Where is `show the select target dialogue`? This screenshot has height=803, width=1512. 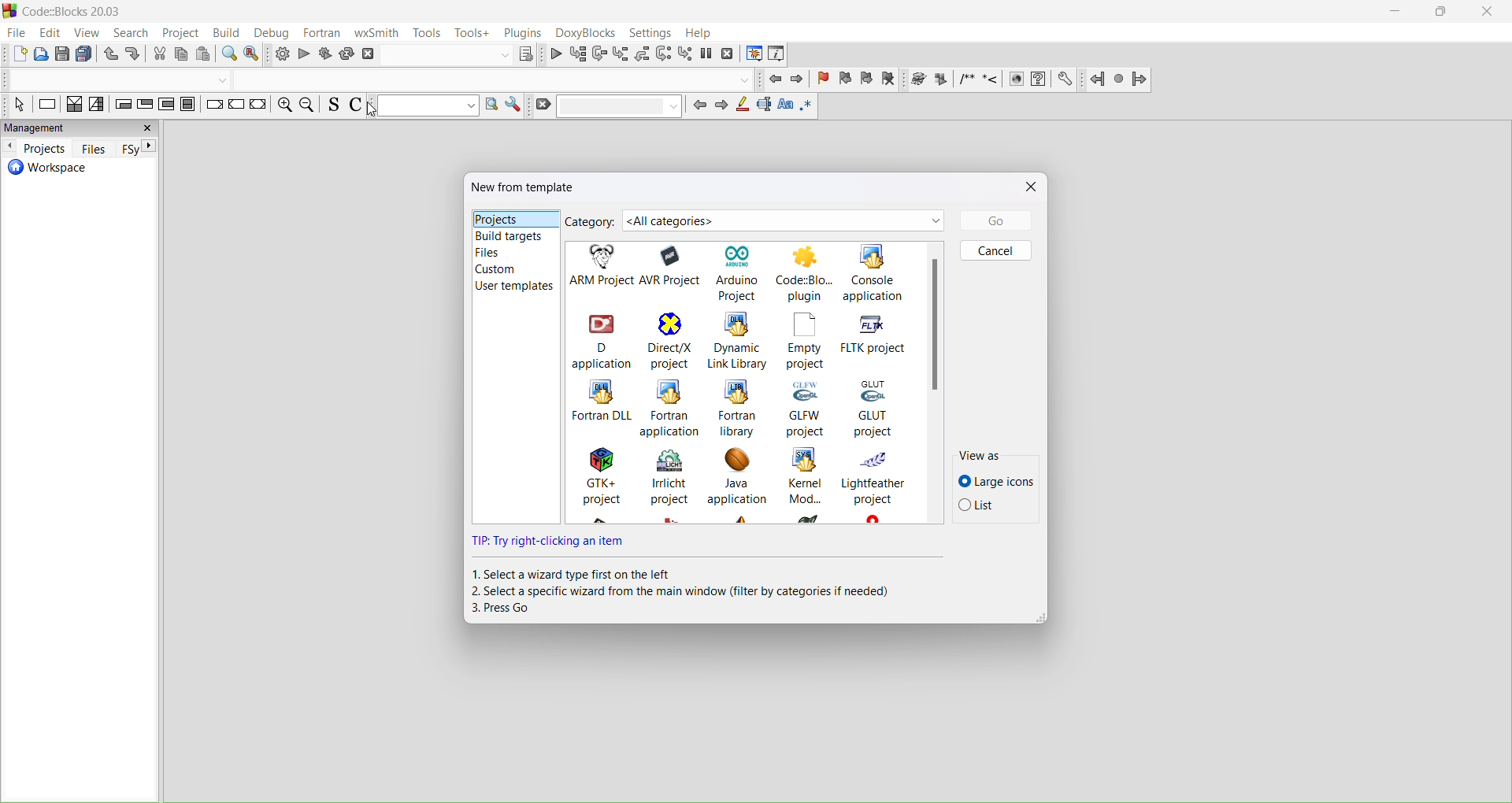
show the select target dialogue is located at coordinates (461, 55).